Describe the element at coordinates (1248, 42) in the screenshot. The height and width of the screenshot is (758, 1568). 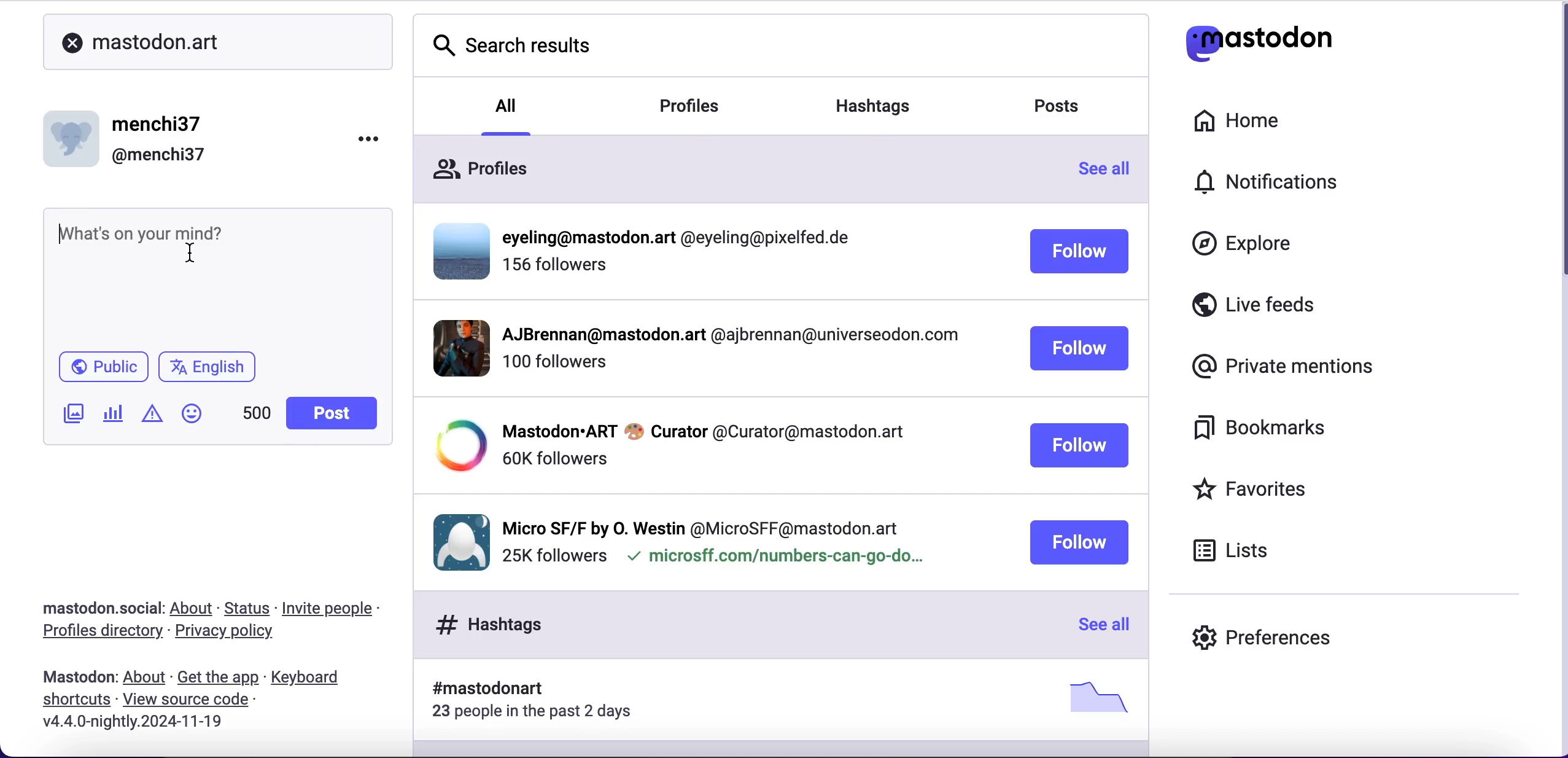
I see `mastodon logo` at that location.